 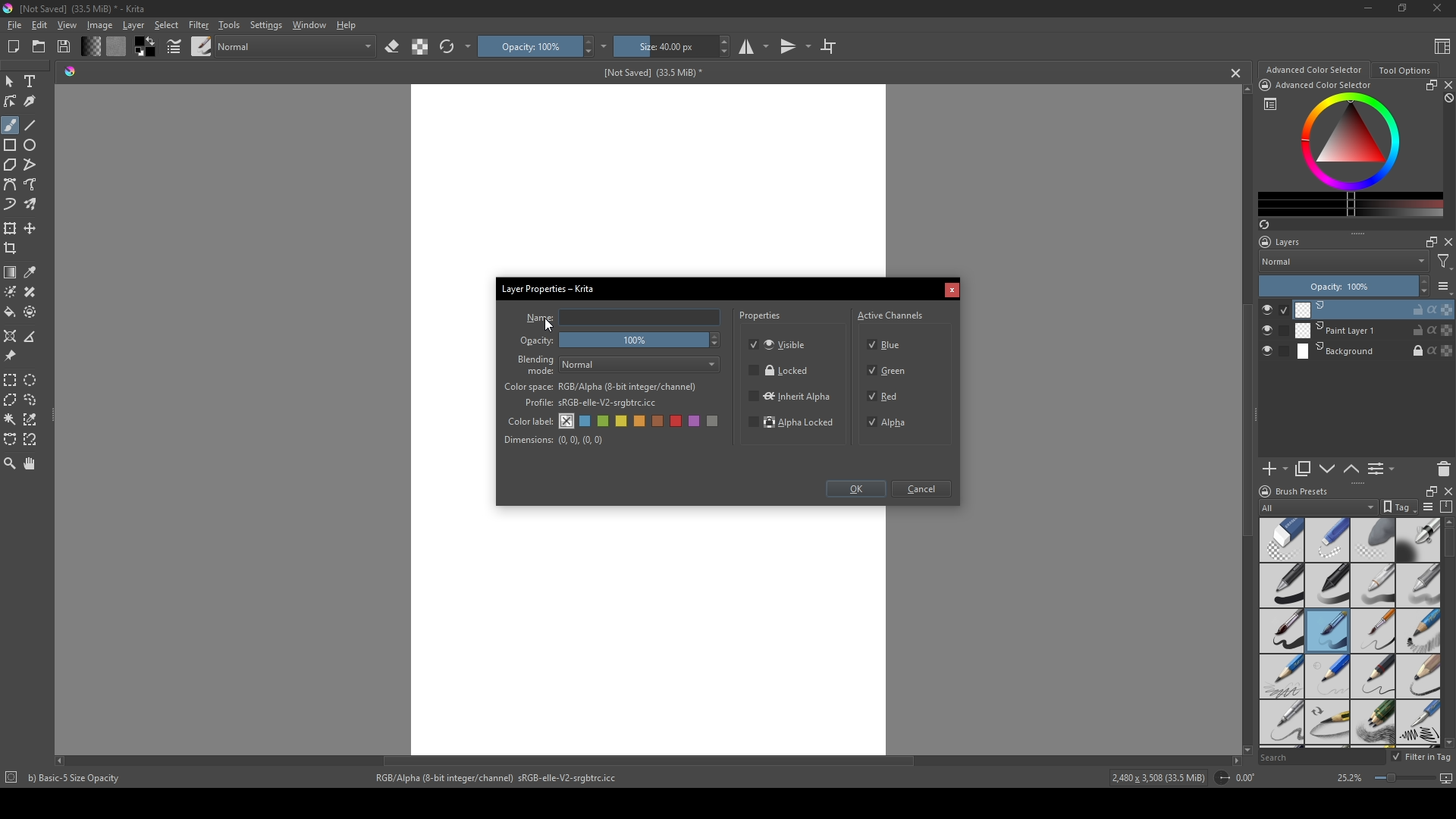 What do you see at coordinates (1423, 281) in the screenshot?
I see `increase` at bounding box center [1423, 281].